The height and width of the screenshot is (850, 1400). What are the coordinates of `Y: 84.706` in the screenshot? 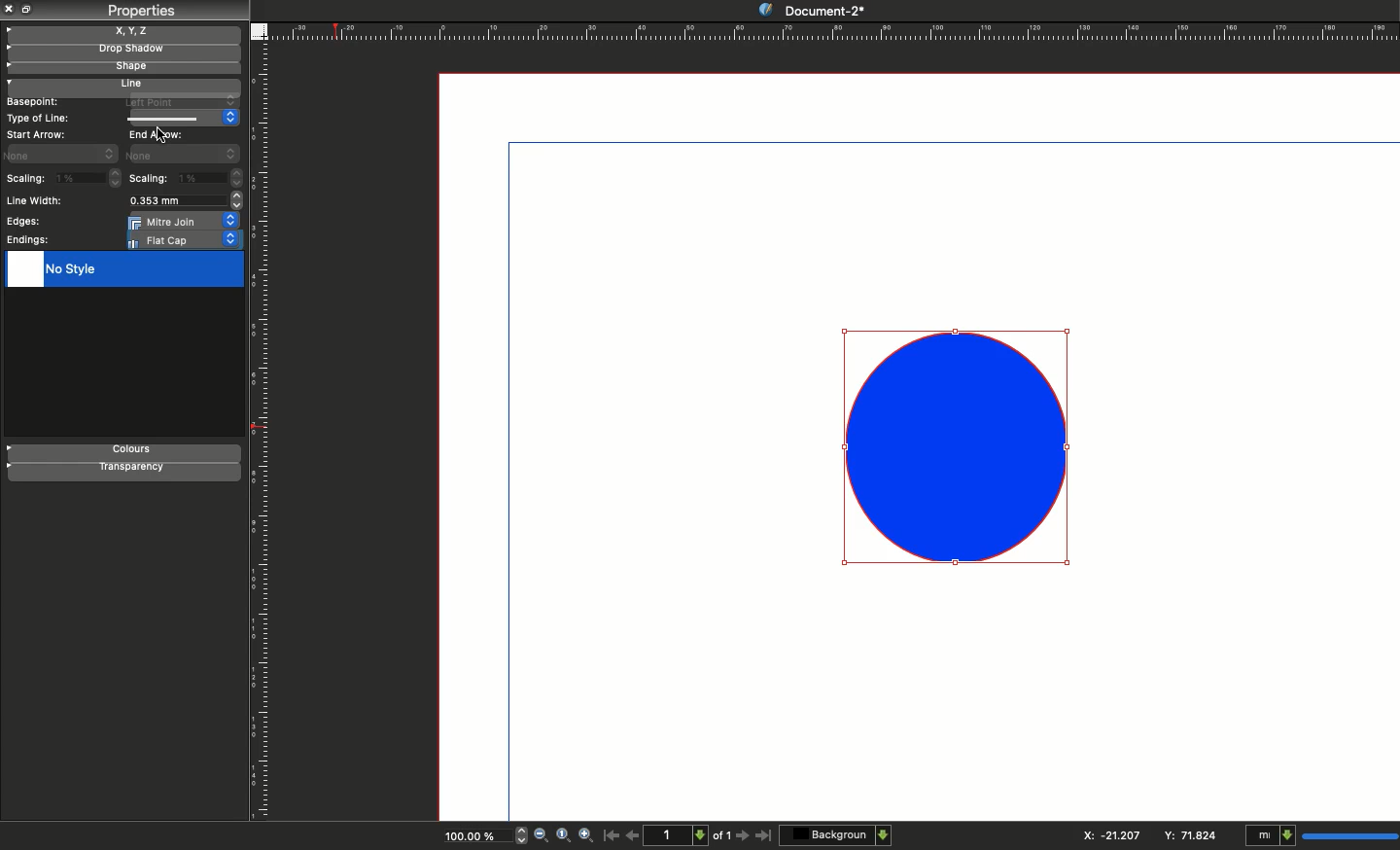 It's located at (1193, 834).